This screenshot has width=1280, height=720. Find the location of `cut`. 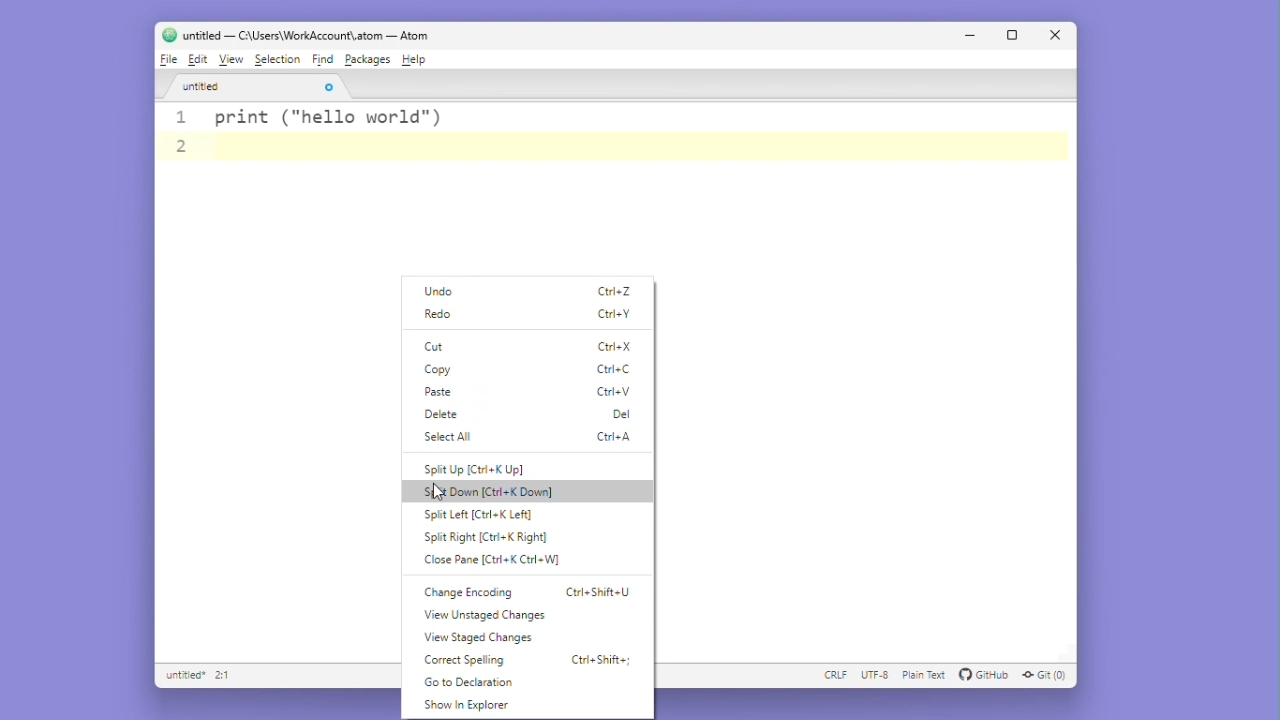

cut is located at coordinates (442, 346).